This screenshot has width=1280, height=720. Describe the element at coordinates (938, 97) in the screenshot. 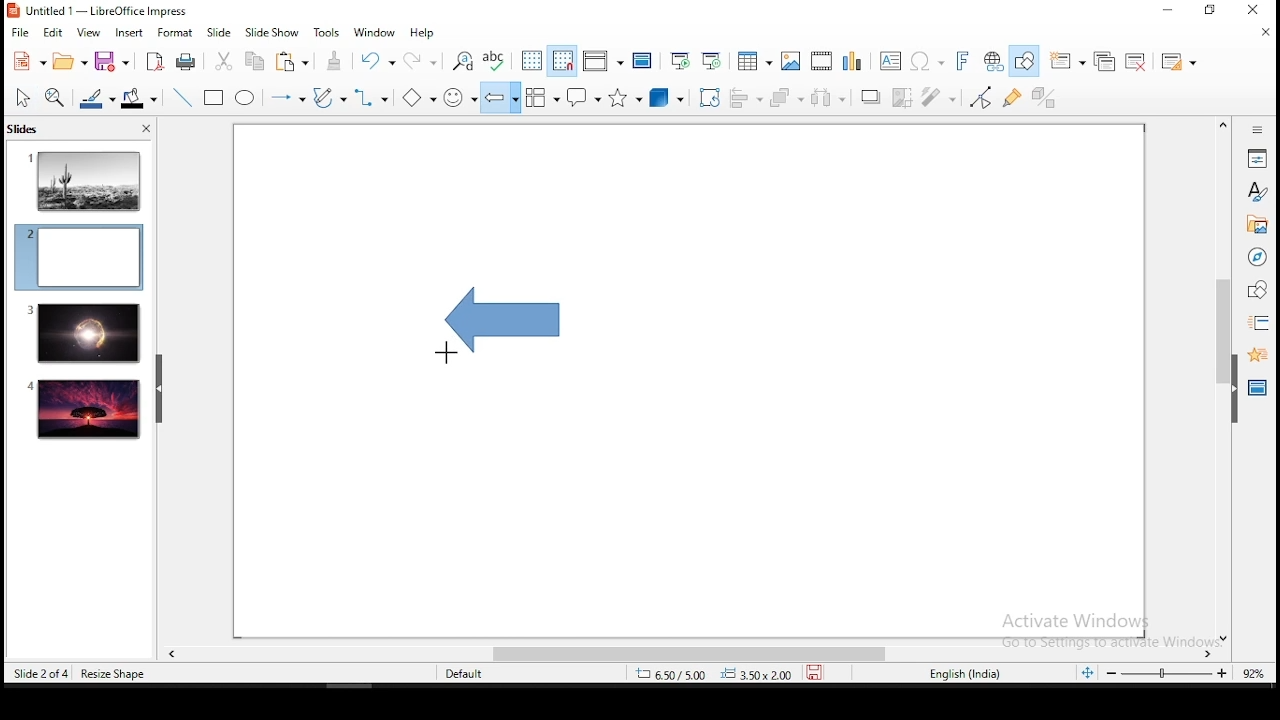

I see `filter` at that location.